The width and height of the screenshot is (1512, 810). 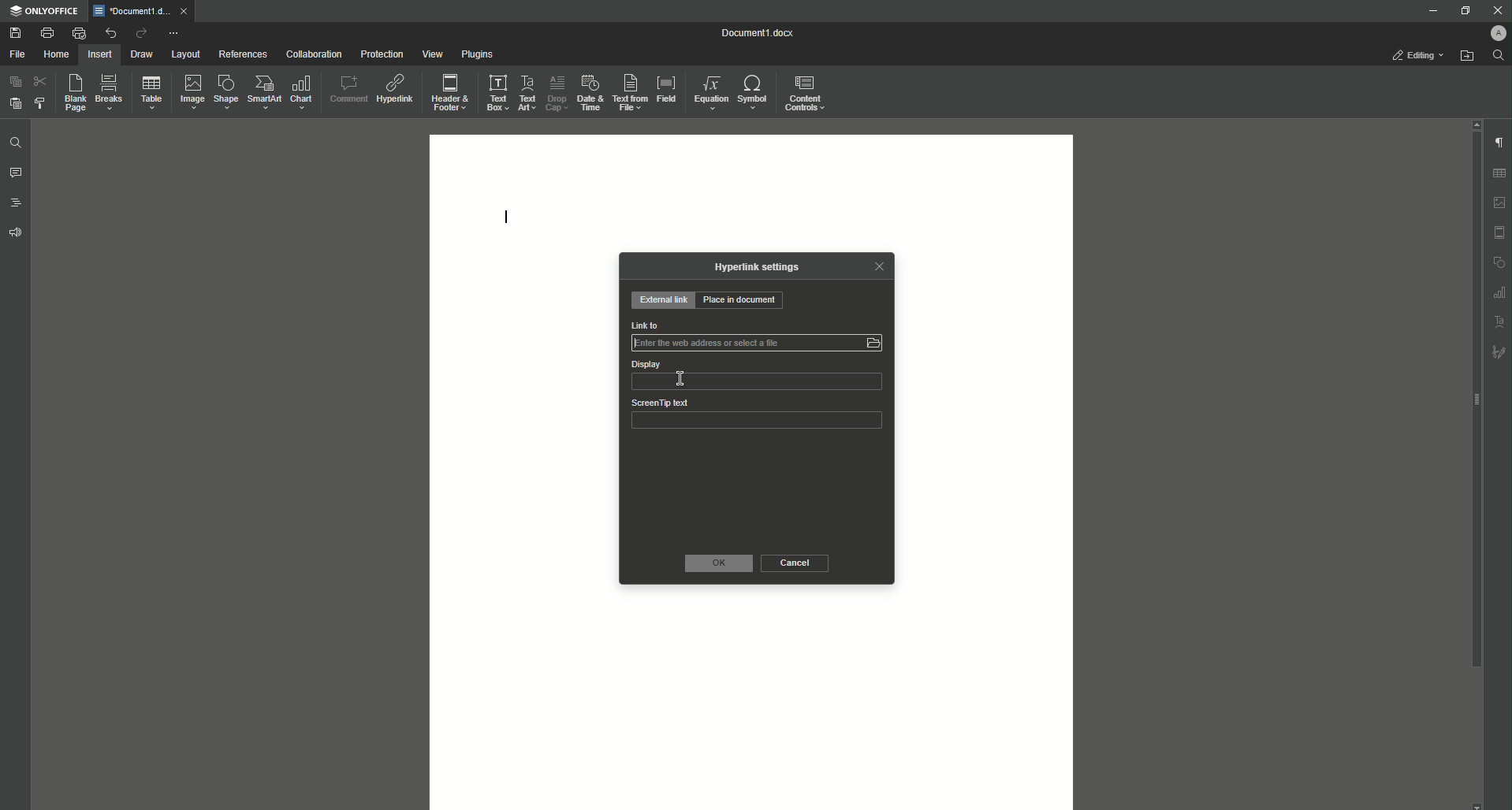 What do you see at coordinates (225, 91) in the screenshot?
I see `Shape` at bounding box center [225, 91].